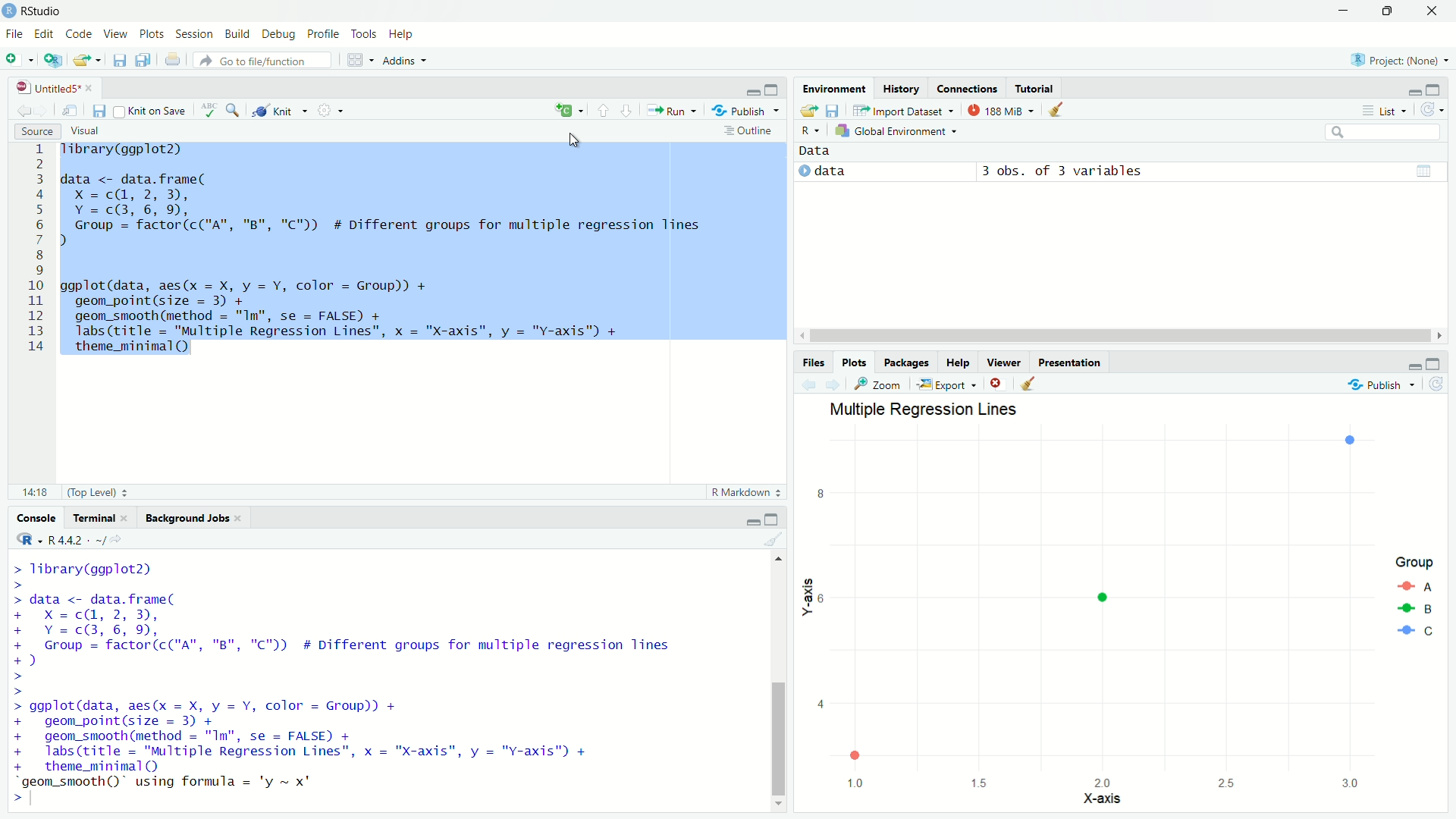 The image size is (1456, 819). What do you see at coordinates (809, 110) in the screenshot?
I see `export` at bounding box center [809, 110].